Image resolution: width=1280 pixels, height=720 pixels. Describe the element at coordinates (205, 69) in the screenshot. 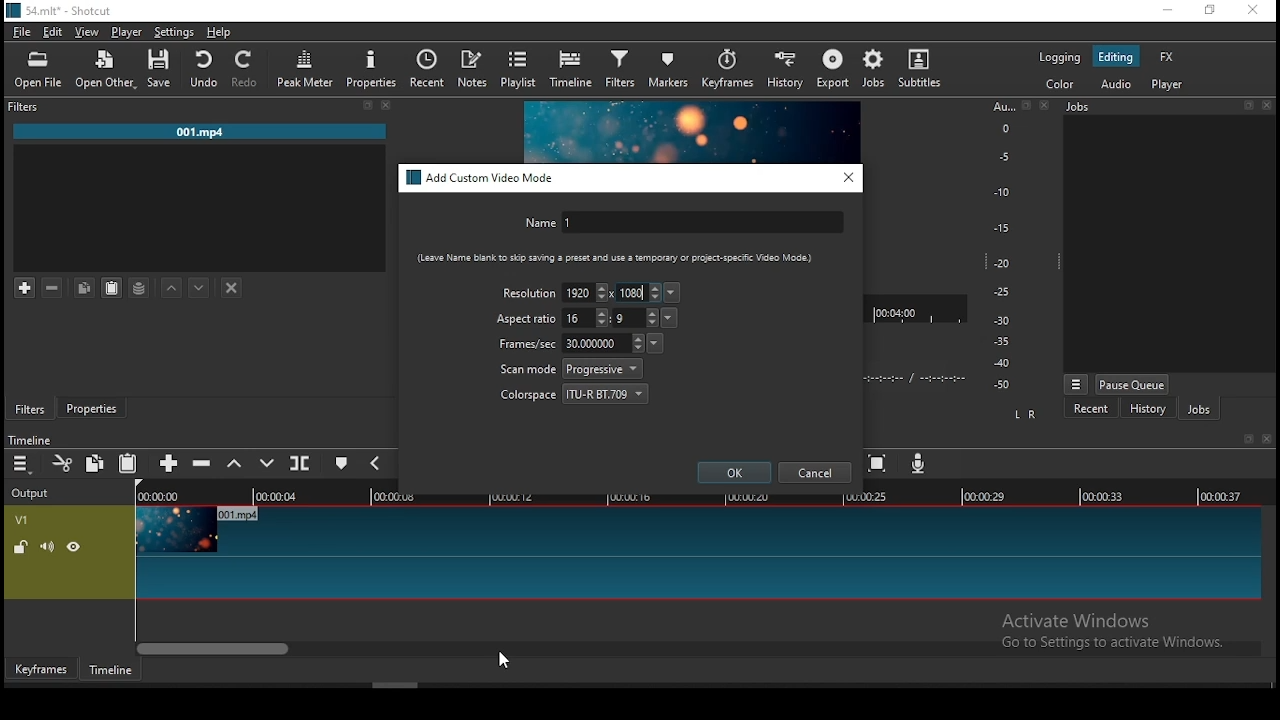

I see `undo` at that location.